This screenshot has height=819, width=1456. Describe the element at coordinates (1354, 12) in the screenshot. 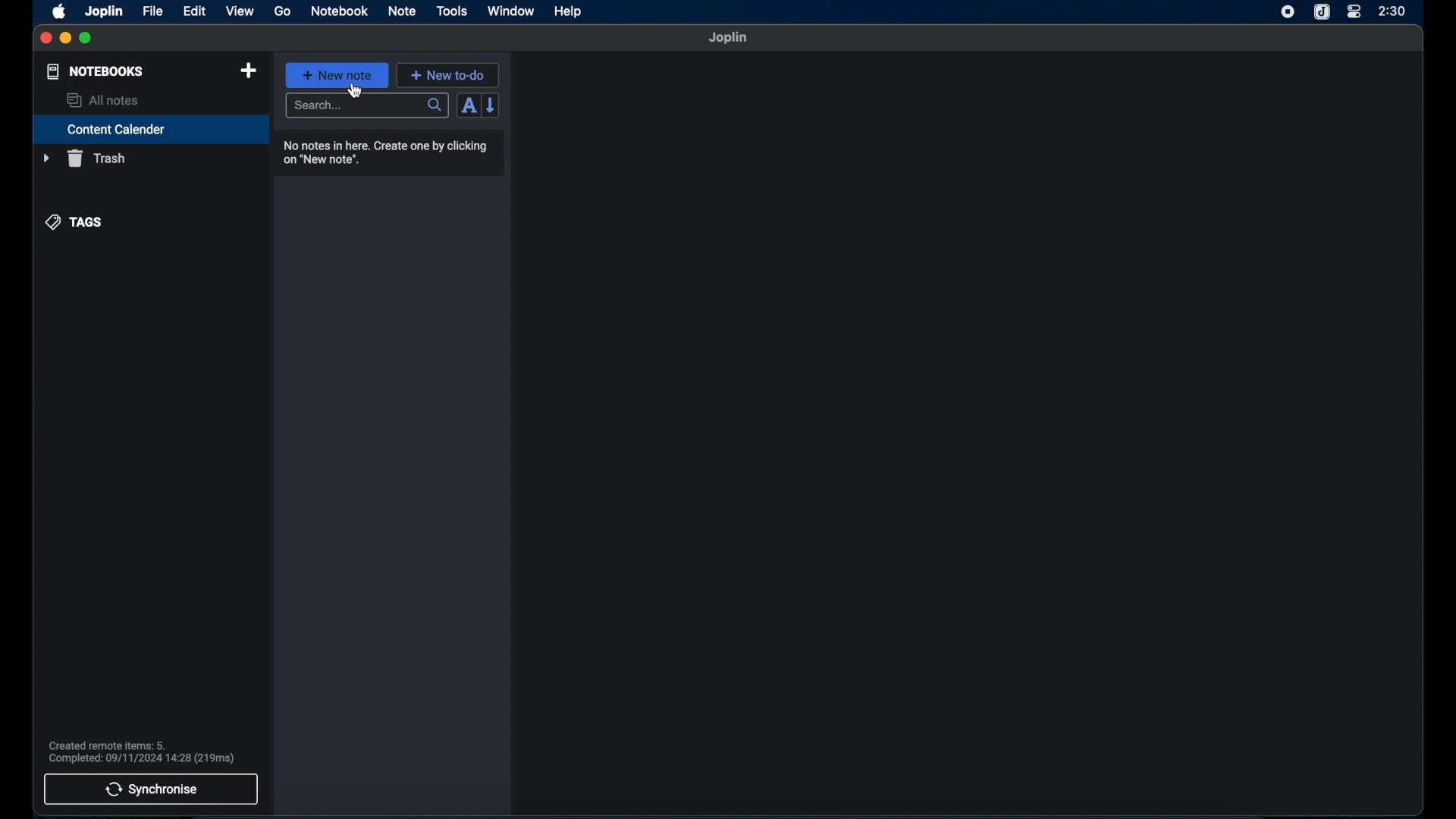

I see `control center` at that location.